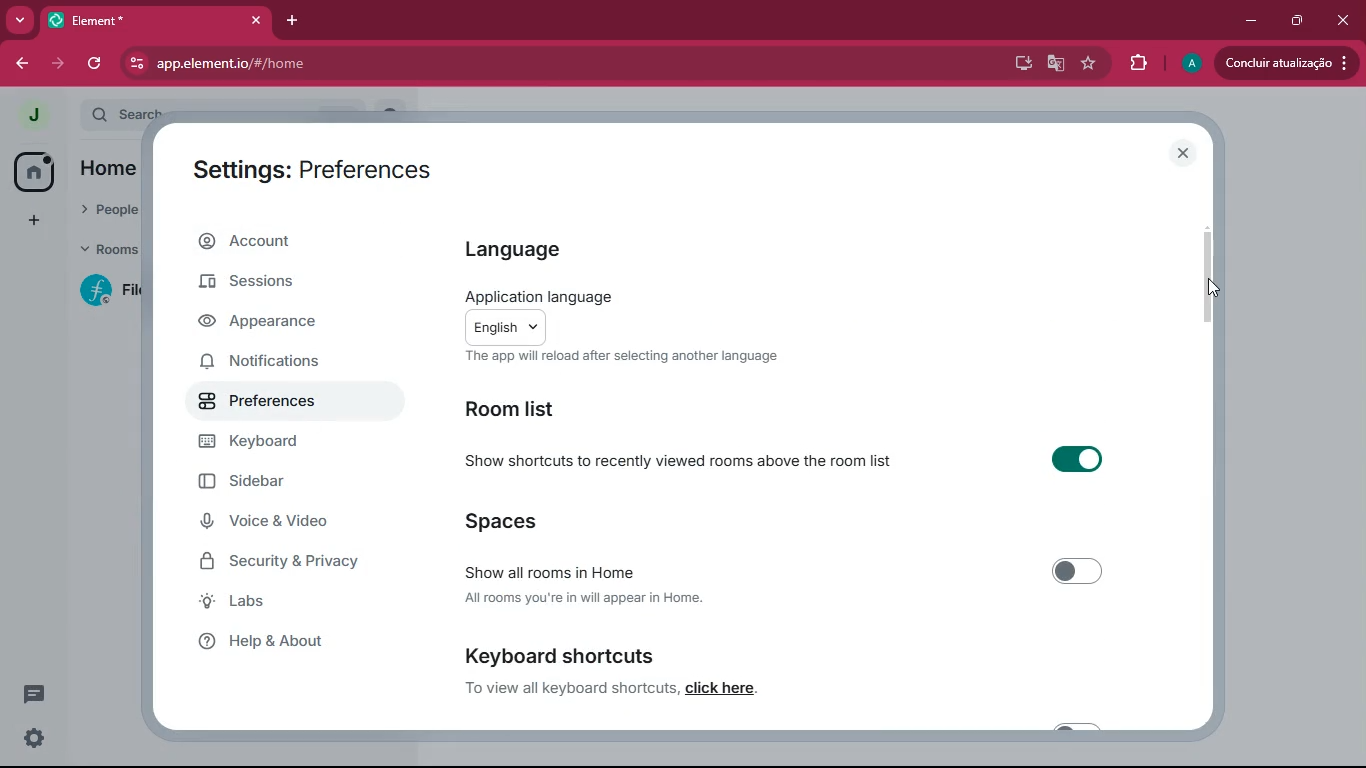 This screenshot has width=1366, height=768. What do you see at coordinates (1189, 61) in the screenshot?
I see `A` at bounding box center [1189, 61].